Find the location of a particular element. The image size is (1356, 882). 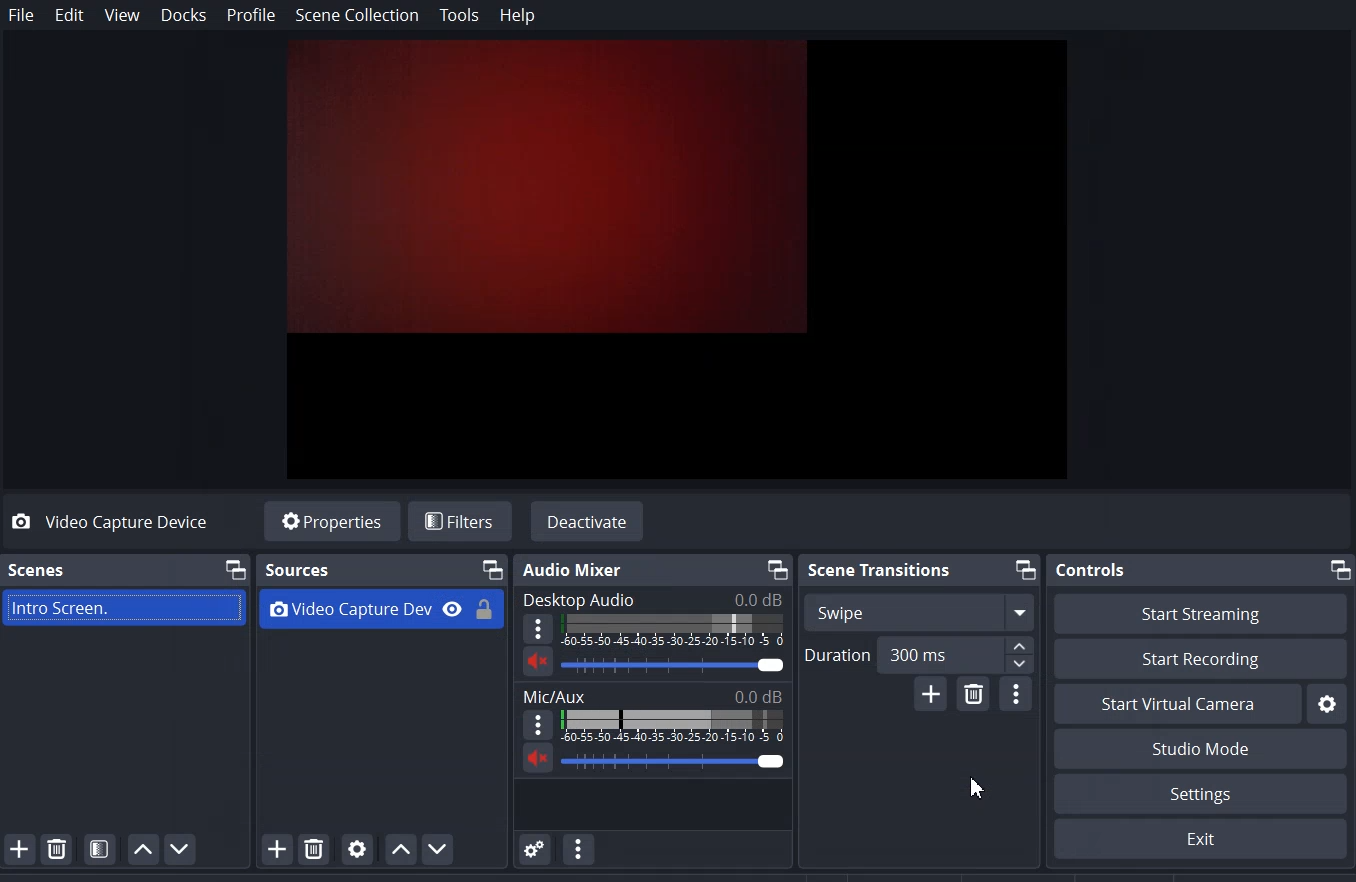

Video Capture Device is located at coordinates (125, 522).